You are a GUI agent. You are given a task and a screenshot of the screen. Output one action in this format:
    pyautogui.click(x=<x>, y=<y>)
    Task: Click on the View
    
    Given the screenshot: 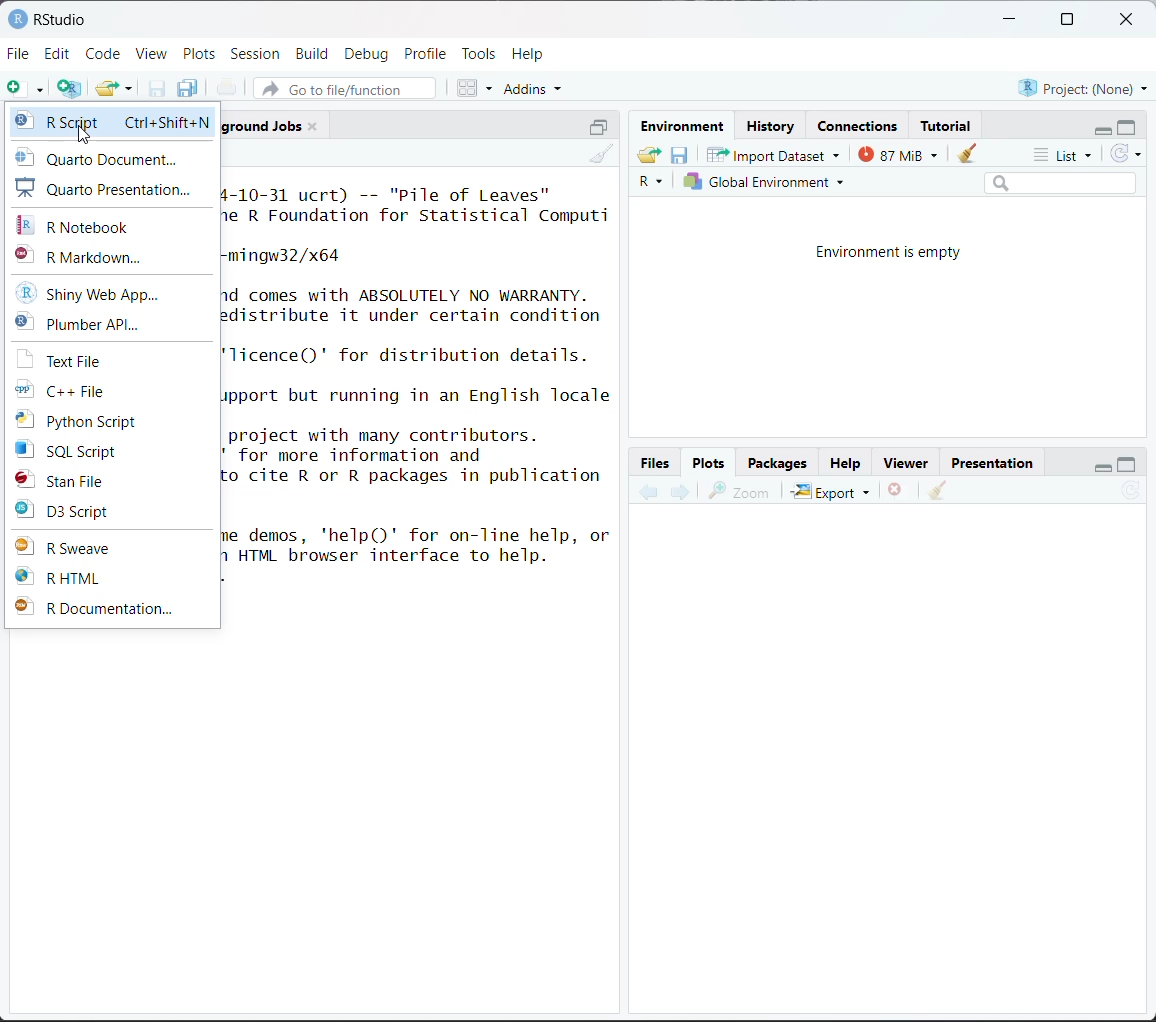 What is the action you would take?
    pyautogui.click(x=152, y=55)
    